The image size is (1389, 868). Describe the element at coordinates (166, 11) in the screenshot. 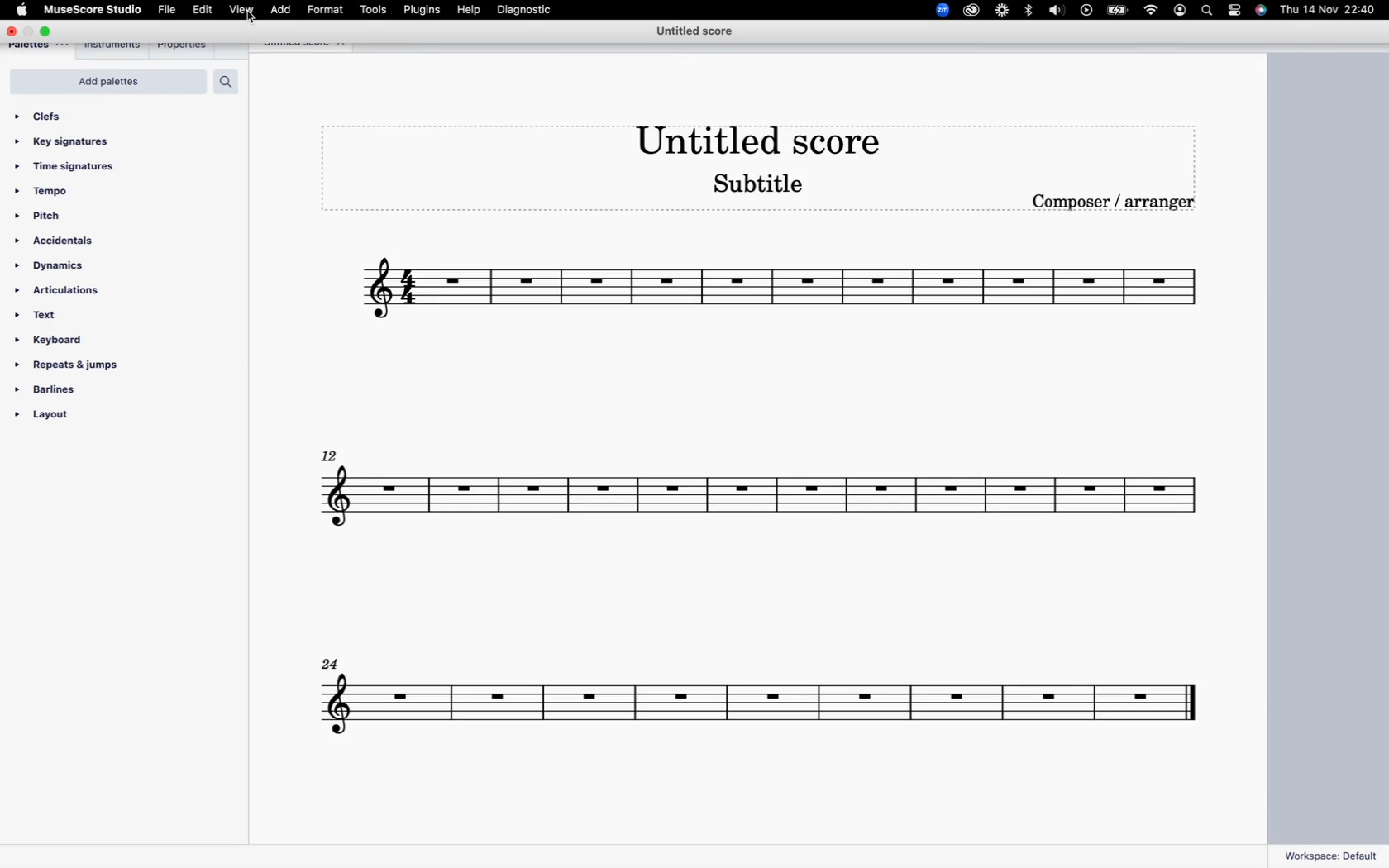

I see `file` at that location.